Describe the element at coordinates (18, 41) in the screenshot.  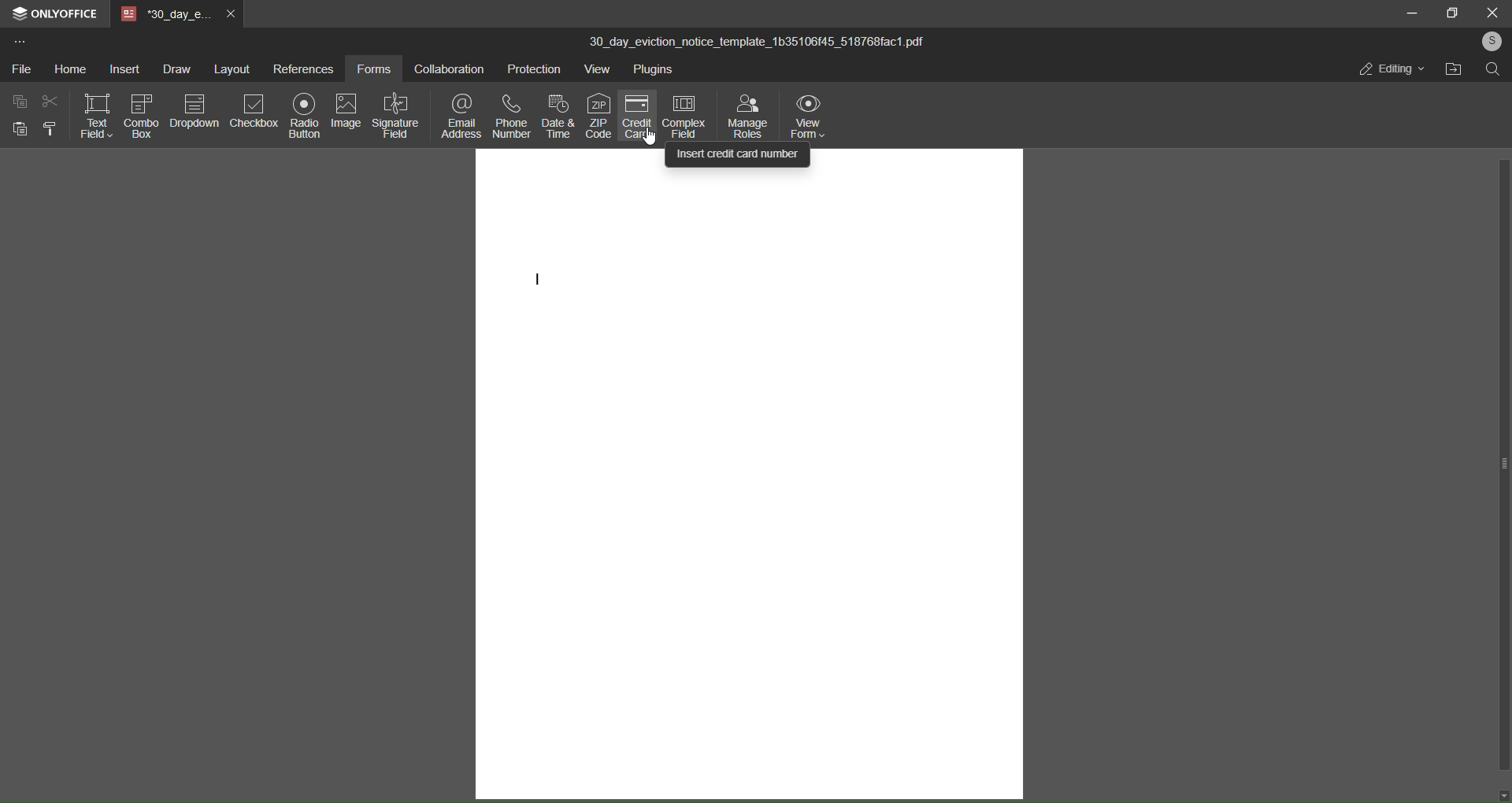
I see `more` at that location.